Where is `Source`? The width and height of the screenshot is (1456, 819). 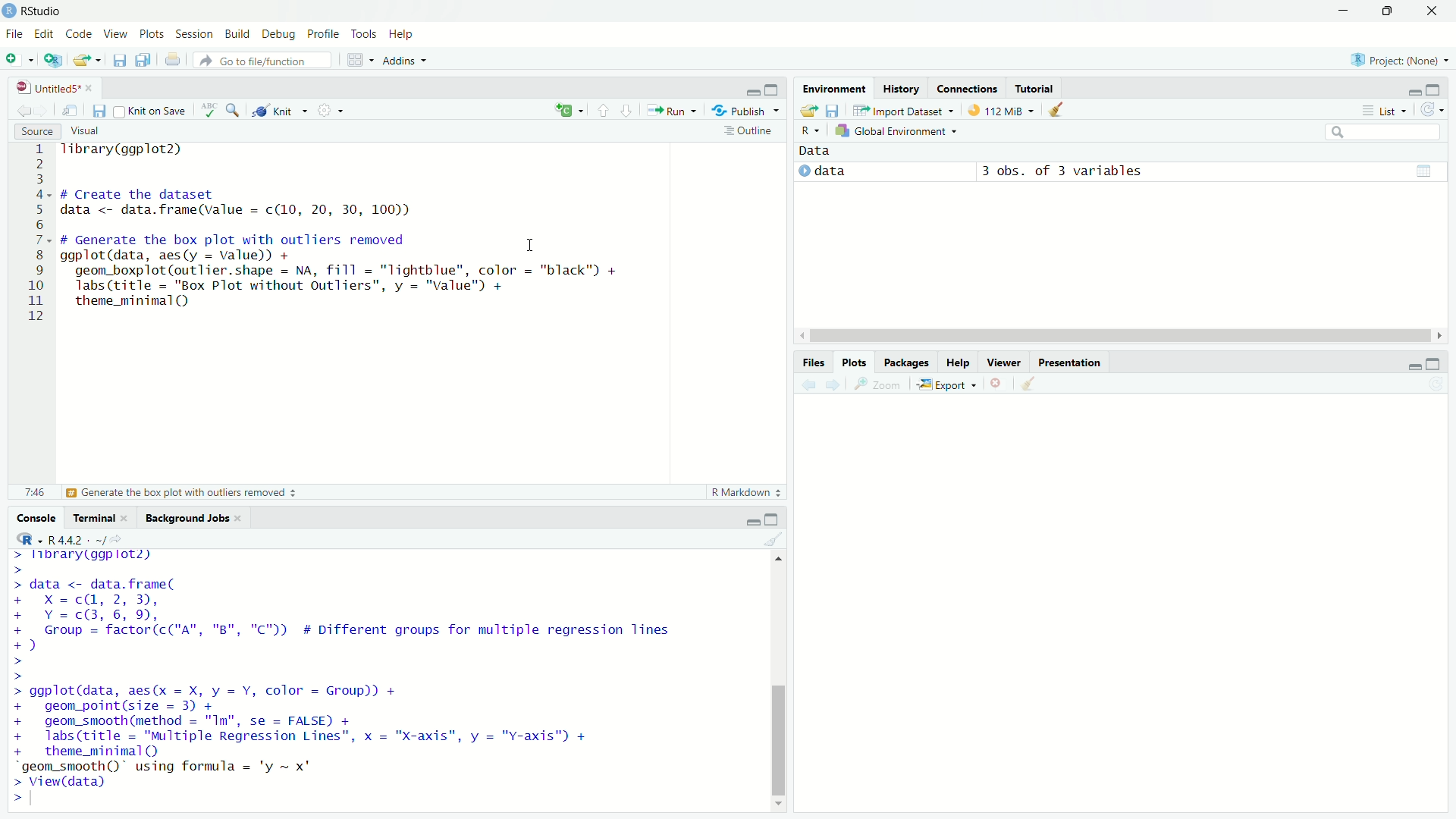 Source is located at coordinates (38, 130).